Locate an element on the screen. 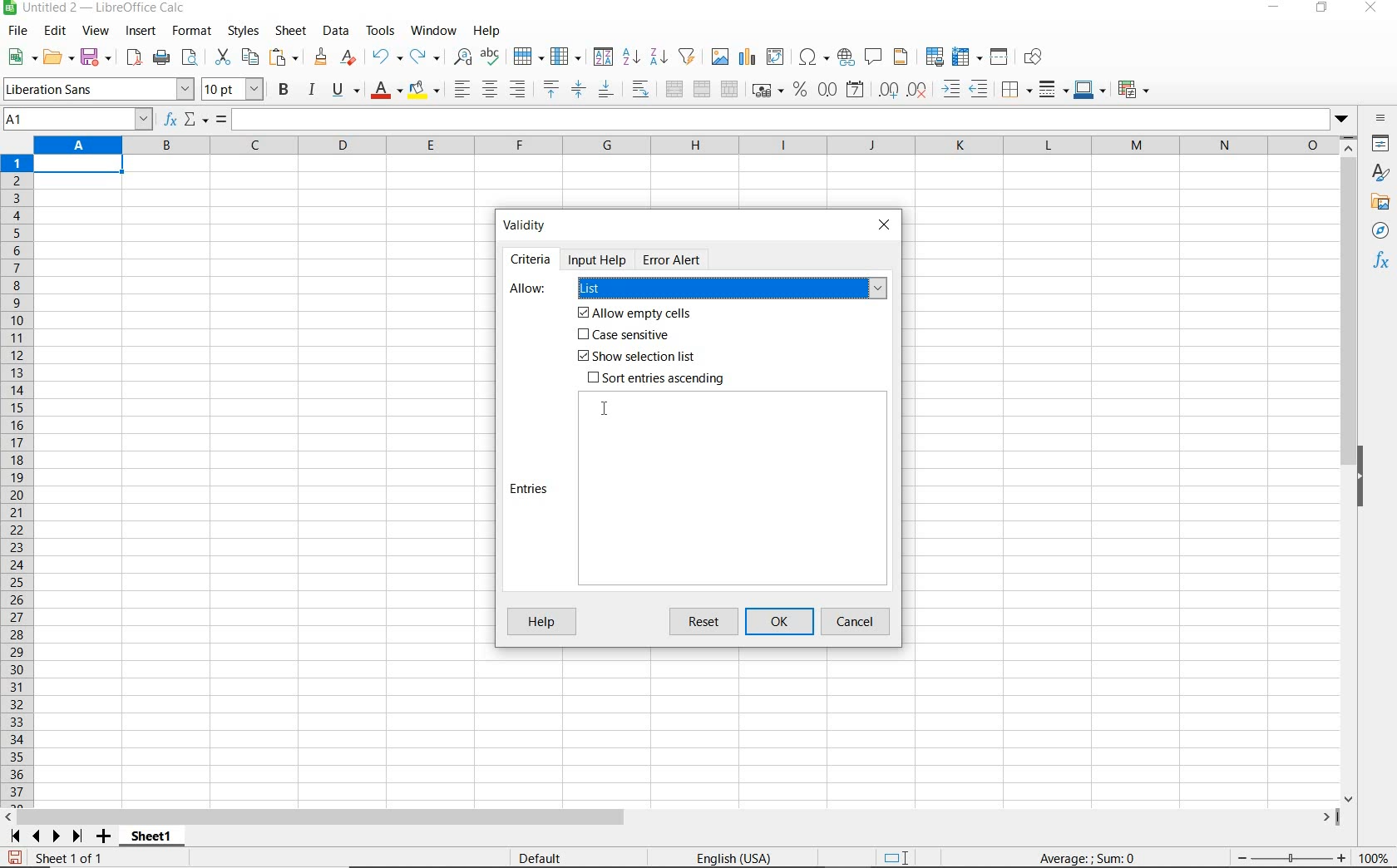 Image resolution: width=1397 pixels, height=868 pixels. columns is located at coordinates (684, 146).